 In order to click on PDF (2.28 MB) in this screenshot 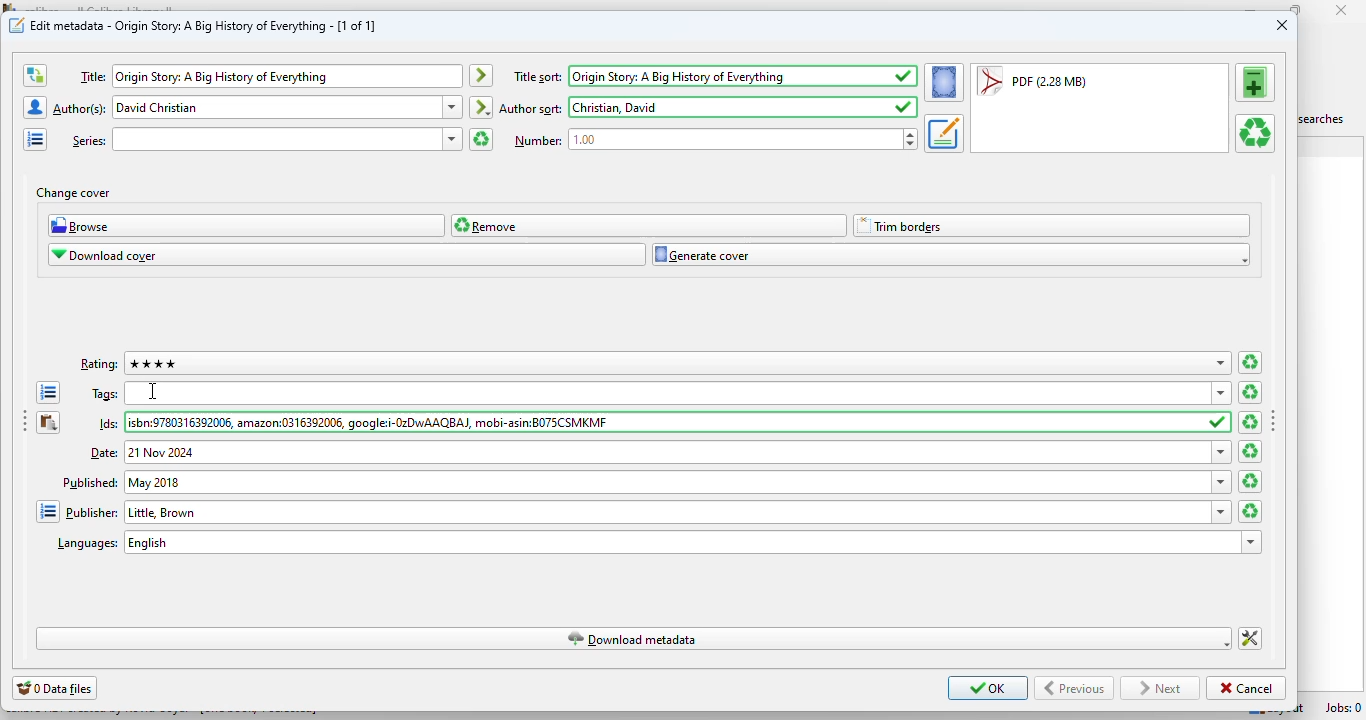, I will do `click(1032, 82)`.